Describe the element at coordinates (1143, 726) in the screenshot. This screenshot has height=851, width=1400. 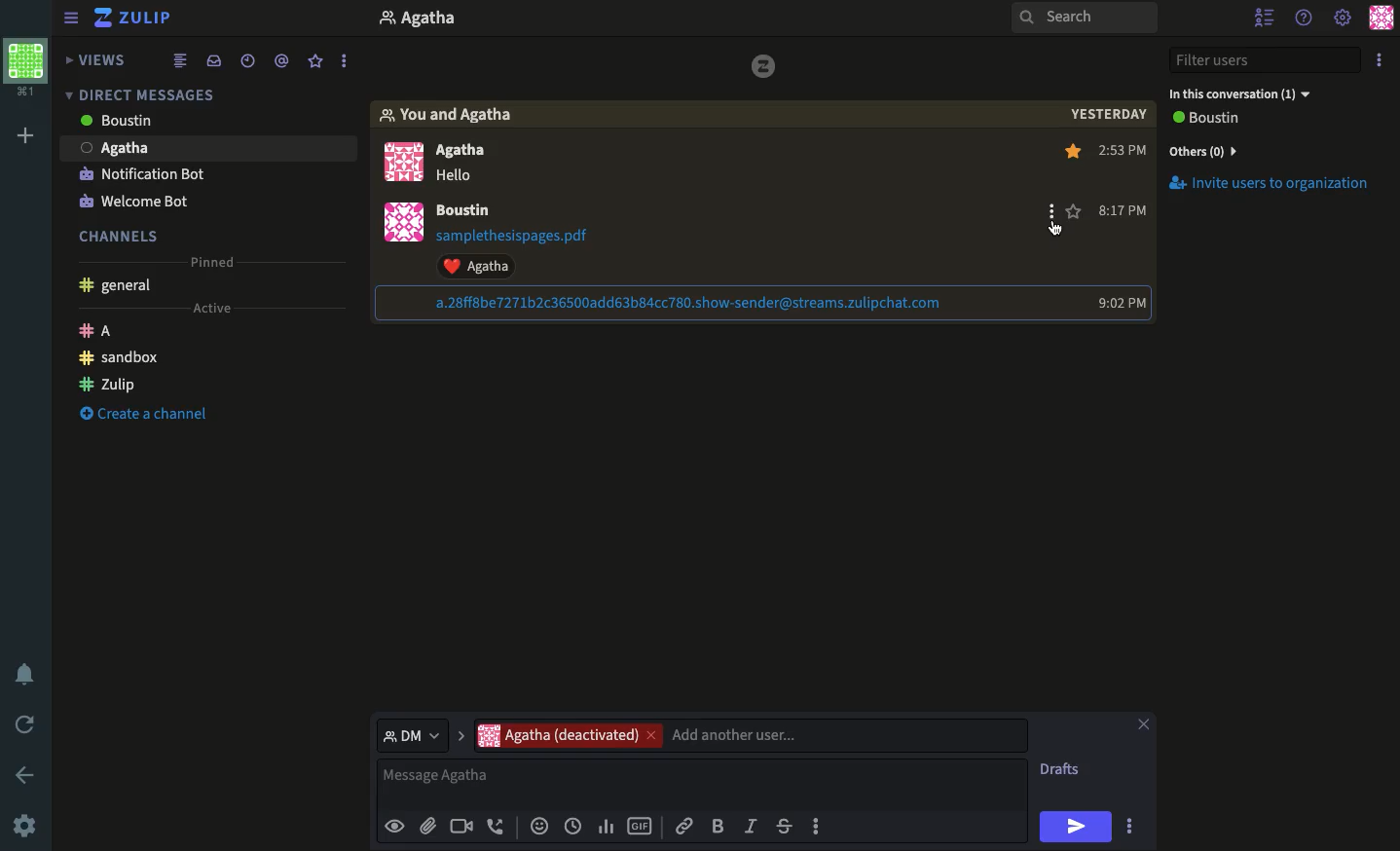
I see `Close` at that location.